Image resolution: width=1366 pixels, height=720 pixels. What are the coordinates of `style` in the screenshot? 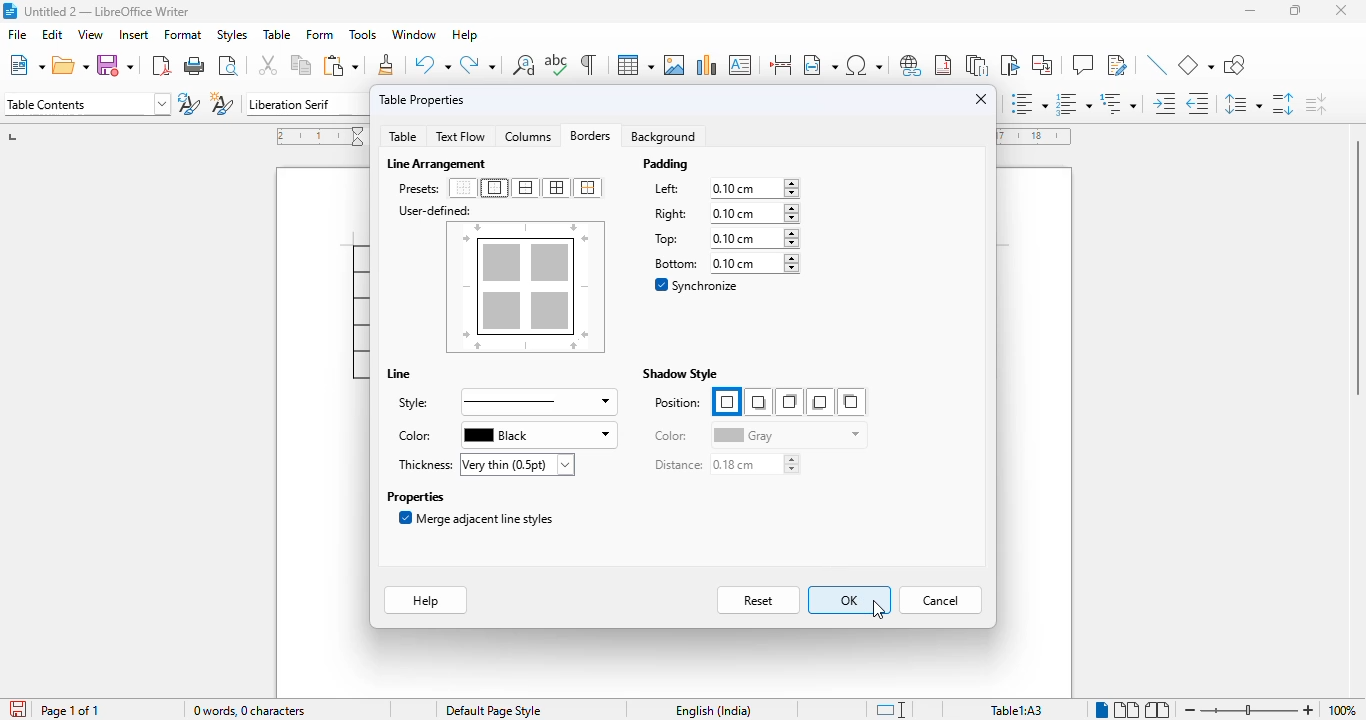 It's located at (505, 402).